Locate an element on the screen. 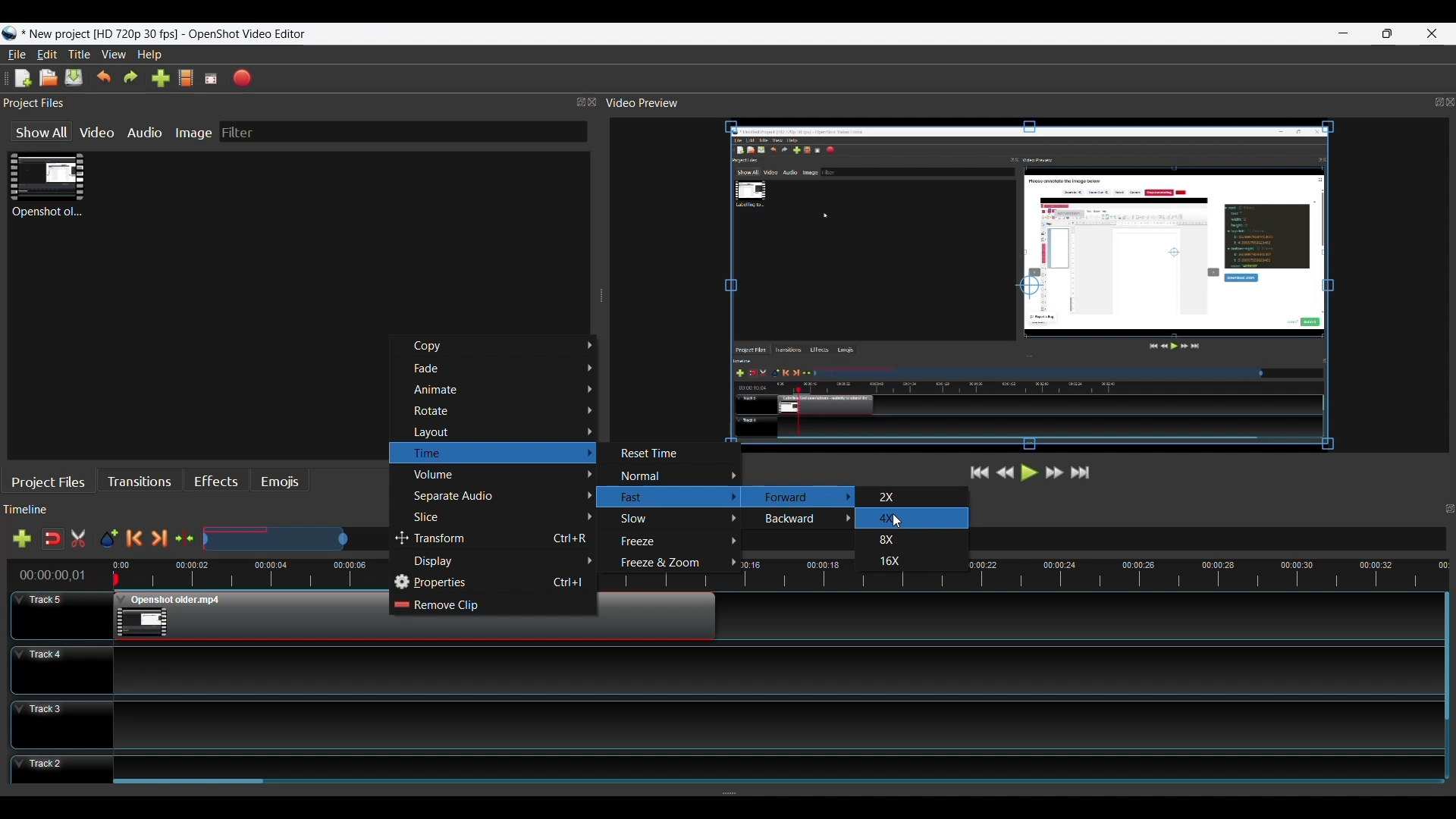 The width and height of the screenshot is (1456, 819). Rewind is located at coordinates (1006, 472).